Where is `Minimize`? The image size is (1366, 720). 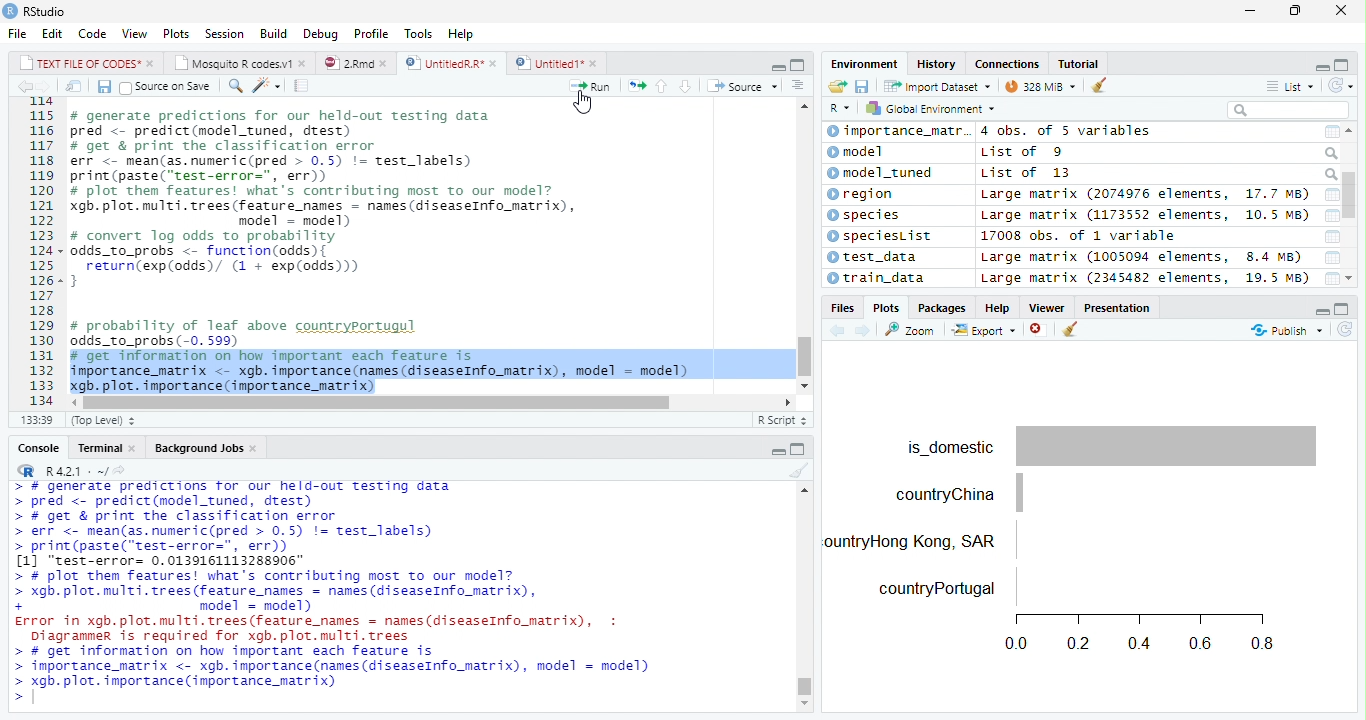
Minimize is located at coordinates (779, 451).